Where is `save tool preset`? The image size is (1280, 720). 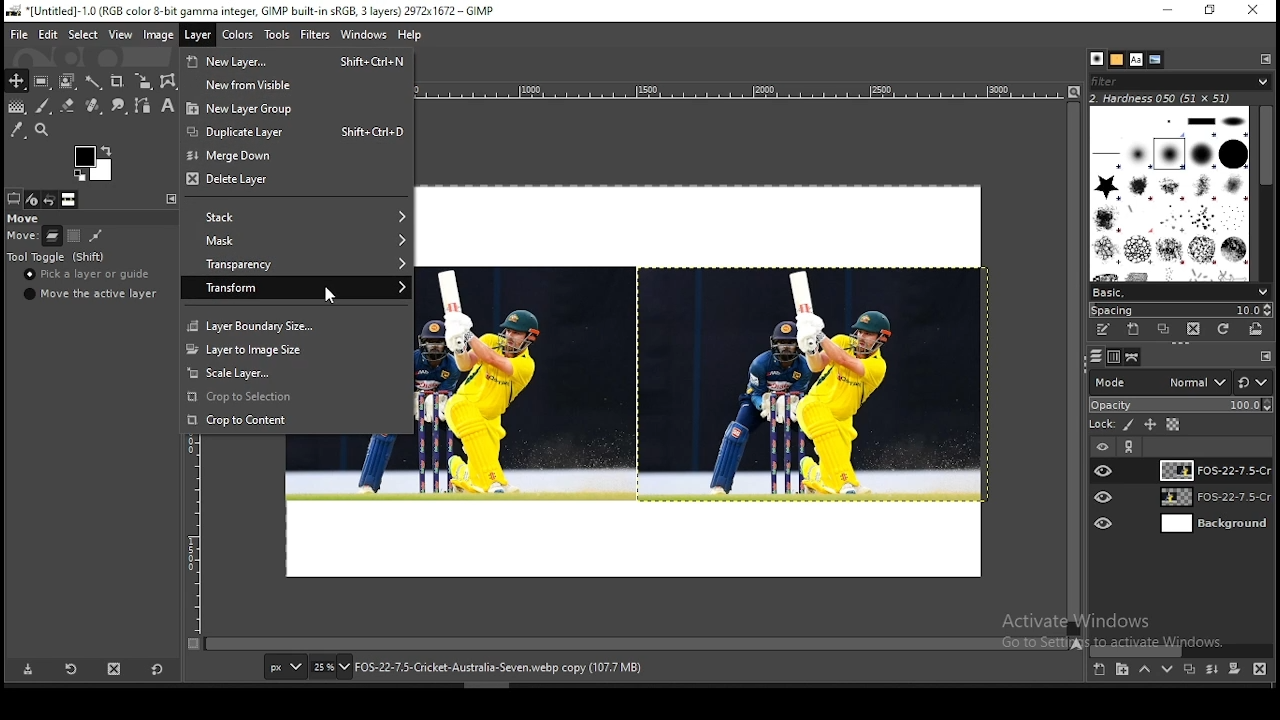 save tool preset is located at coordinates (29, 670).